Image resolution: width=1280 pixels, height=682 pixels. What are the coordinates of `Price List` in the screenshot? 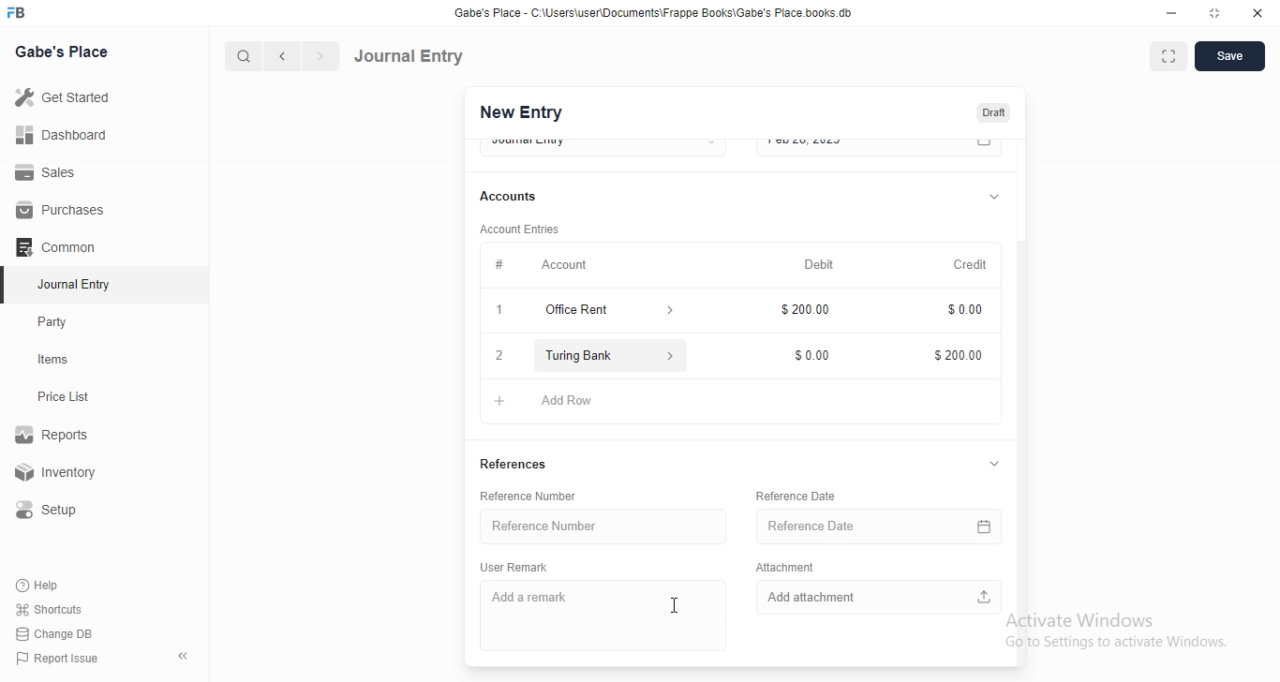 It's located at (62, 397).